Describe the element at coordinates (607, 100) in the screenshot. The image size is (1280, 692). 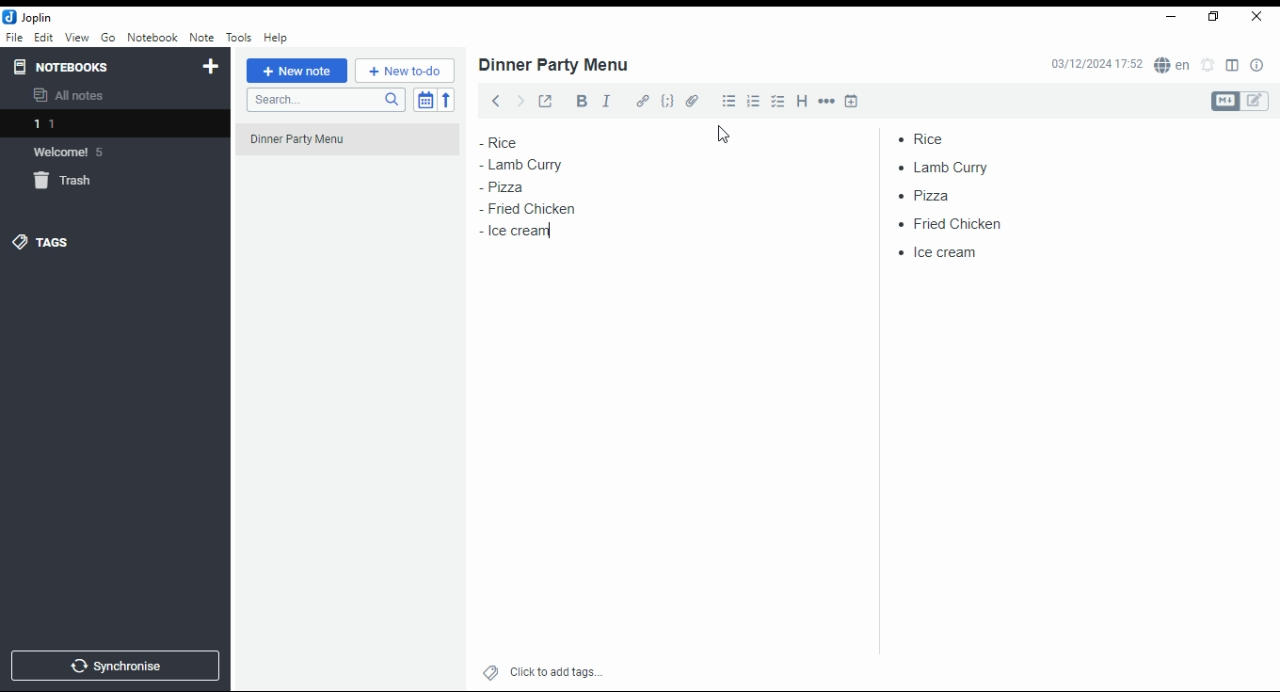
I see `italics` at that location.